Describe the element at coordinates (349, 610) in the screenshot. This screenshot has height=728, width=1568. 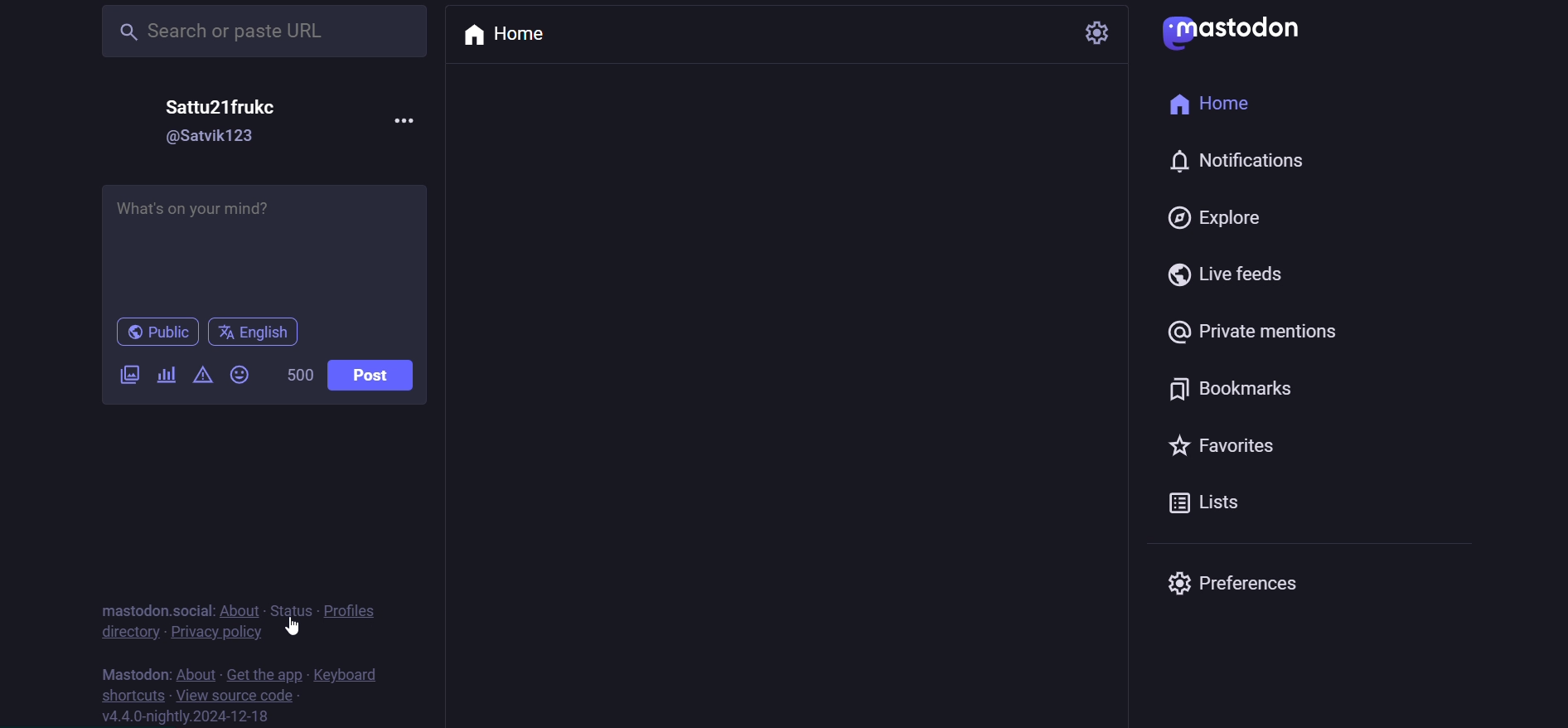
I see `profiles` at that location.